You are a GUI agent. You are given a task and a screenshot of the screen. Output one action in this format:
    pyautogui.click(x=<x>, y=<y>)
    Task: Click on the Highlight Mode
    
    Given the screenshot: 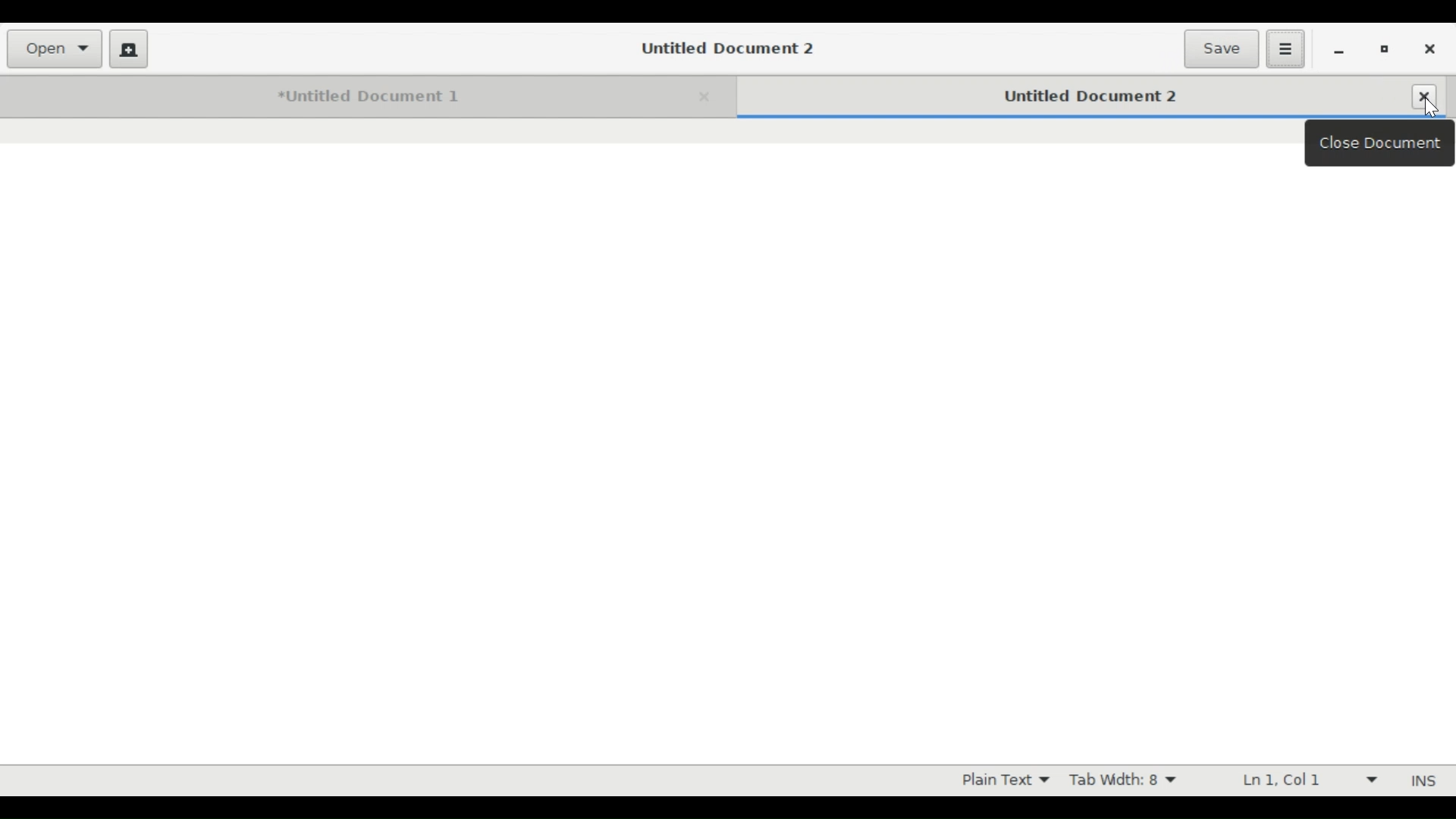 What is the action you would take?
    pyautogui.click(x=1004, y=780)
    